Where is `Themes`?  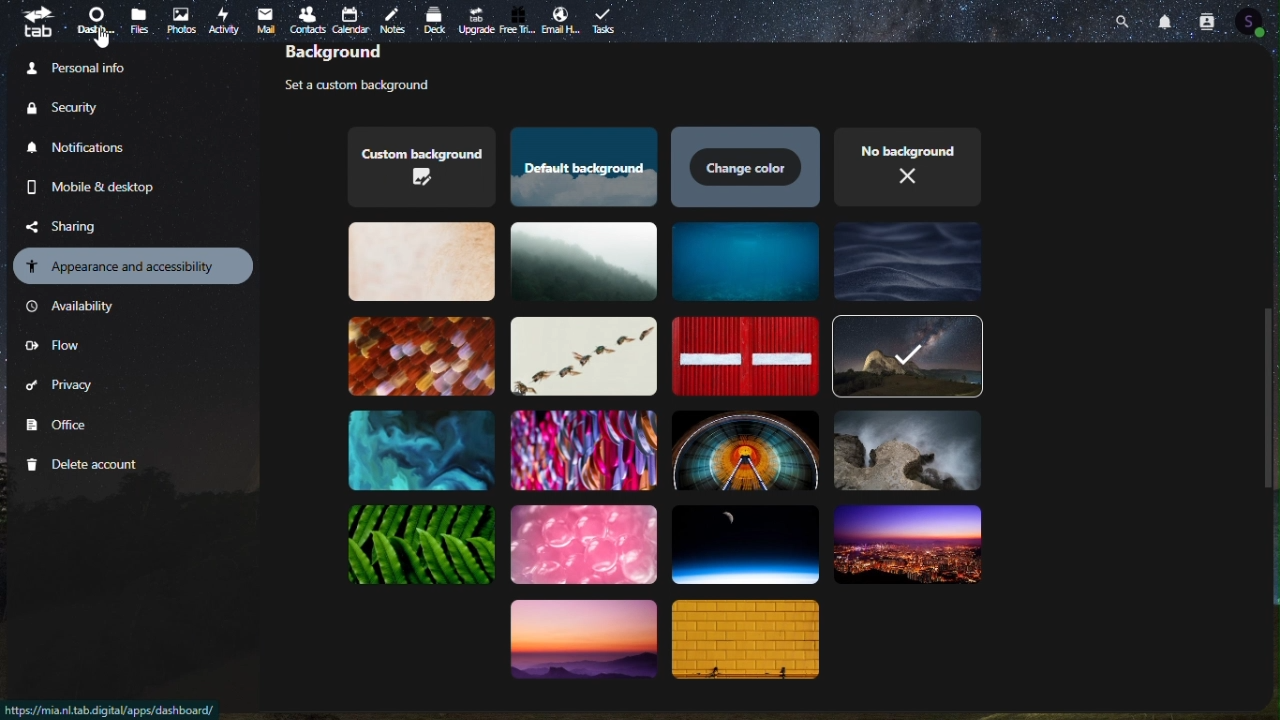 Themes is located at coordinates (746, 261).